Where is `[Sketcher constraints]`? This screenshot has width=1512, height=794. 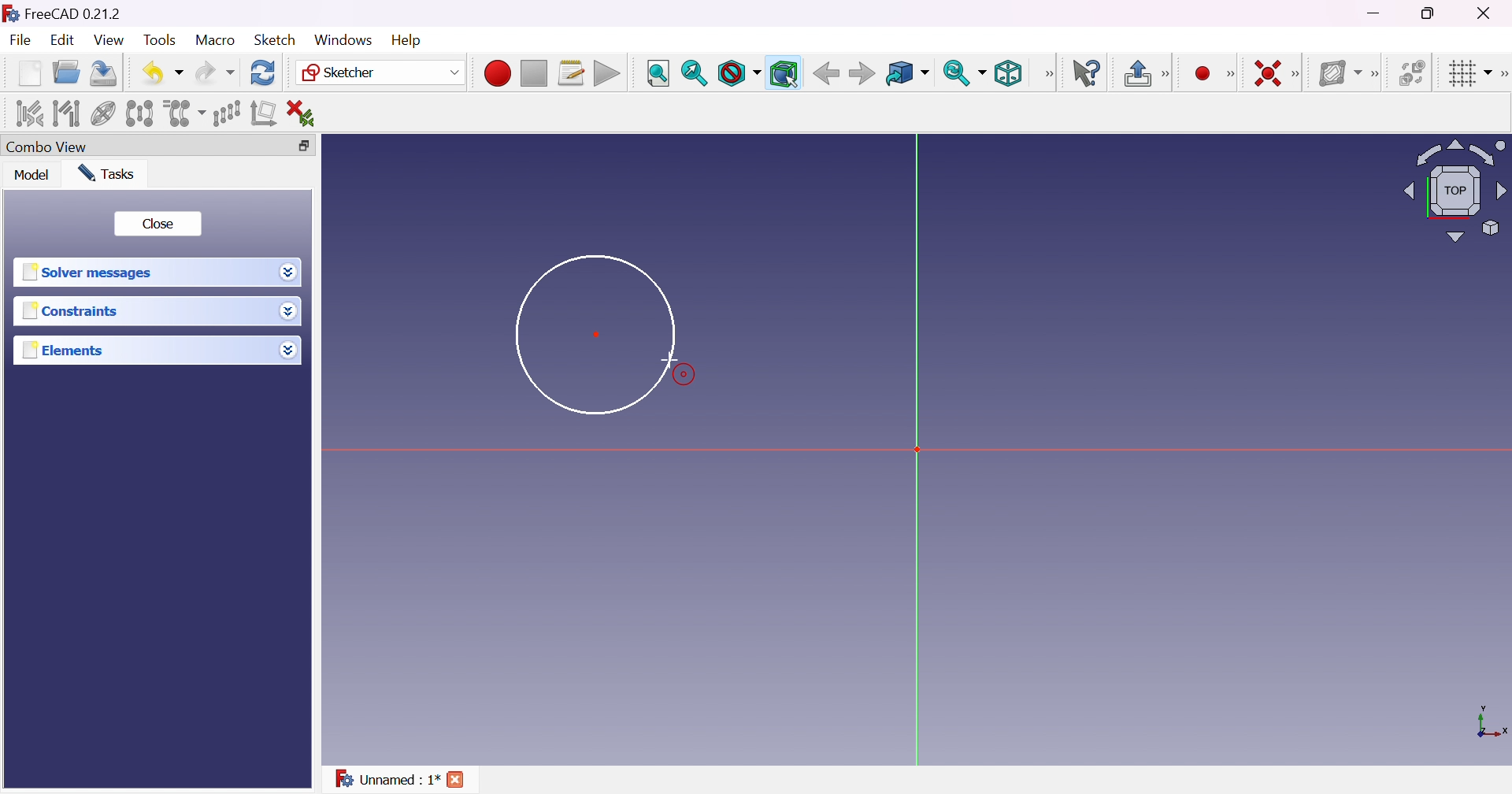
[Sketcher constraints] is located at coordinates (1298, 73).